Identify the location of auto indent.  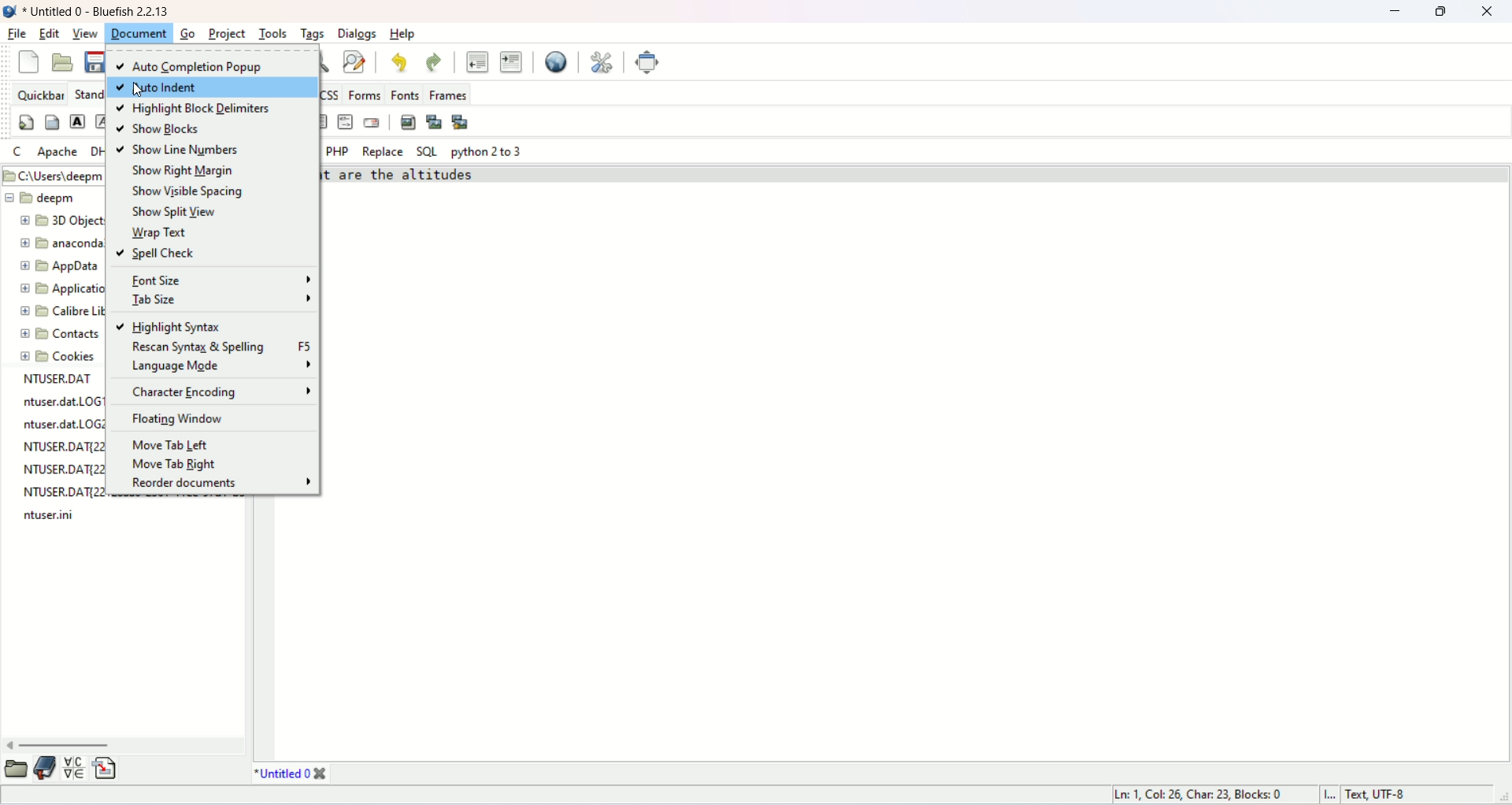
(213, 88).